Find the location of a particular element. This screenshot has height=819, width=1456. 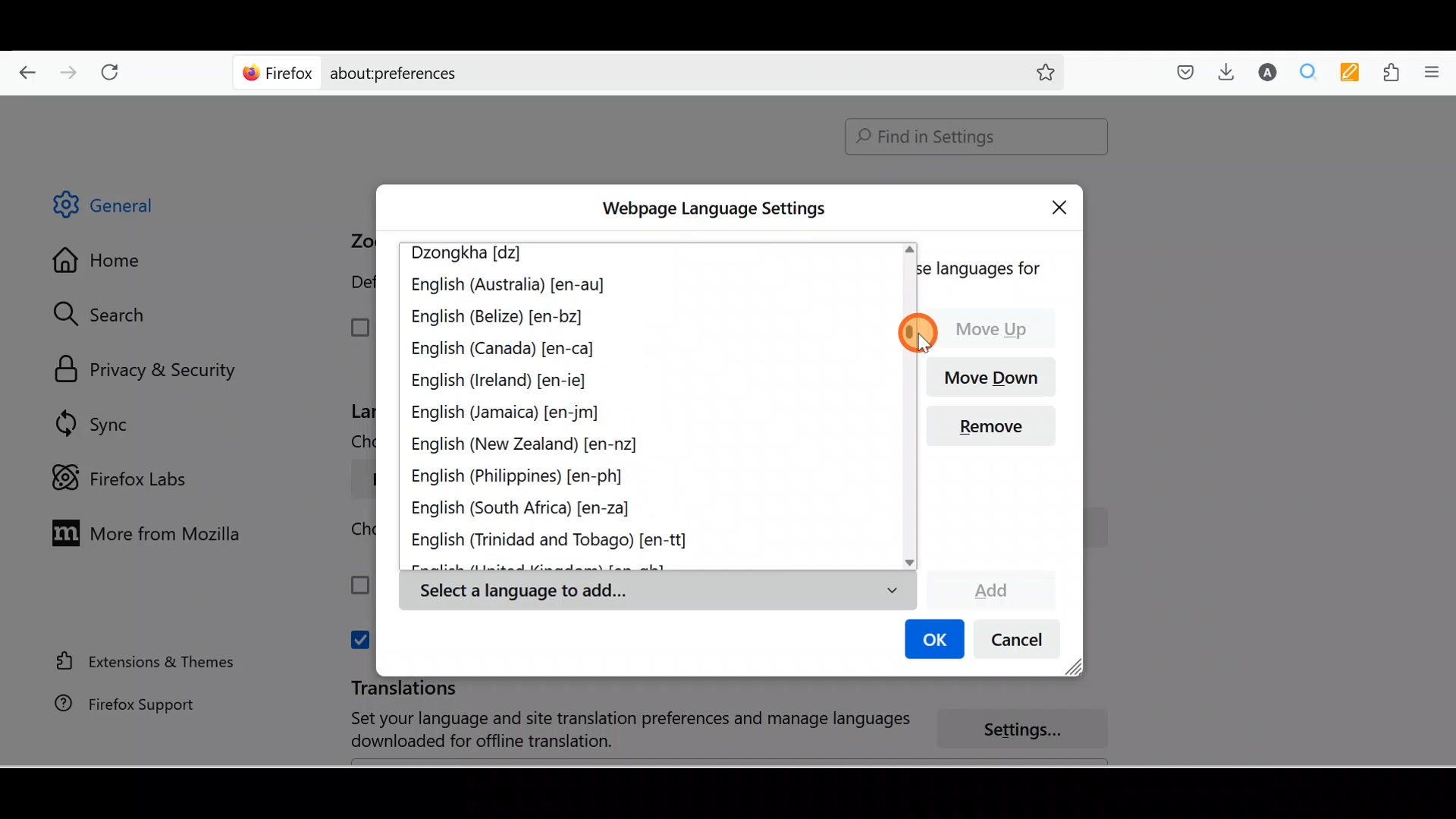

Cancel is located at coordinates (1021, 643).